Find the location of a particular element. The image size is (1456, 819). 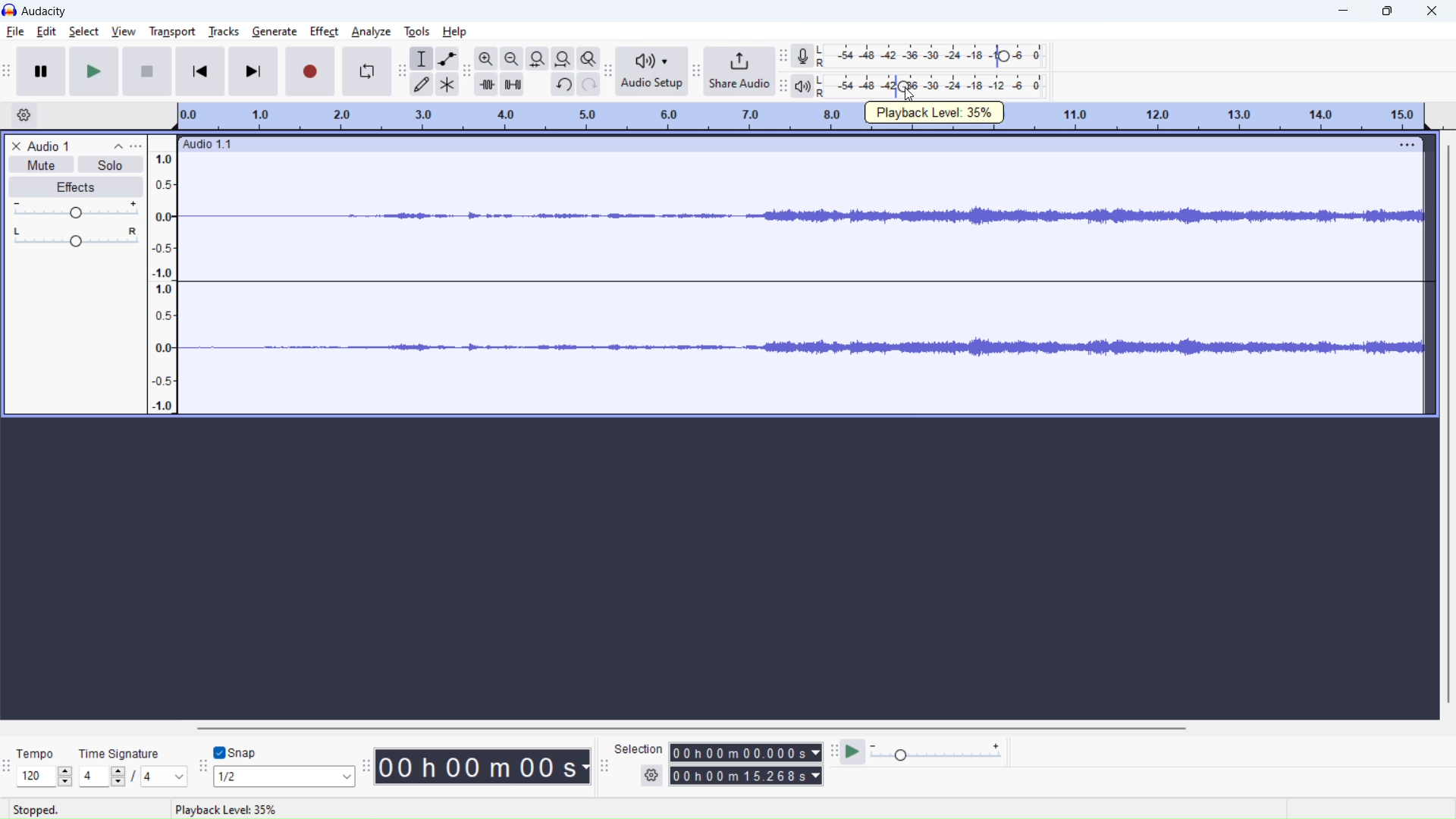

timeline is located at coordinates (802, 117).